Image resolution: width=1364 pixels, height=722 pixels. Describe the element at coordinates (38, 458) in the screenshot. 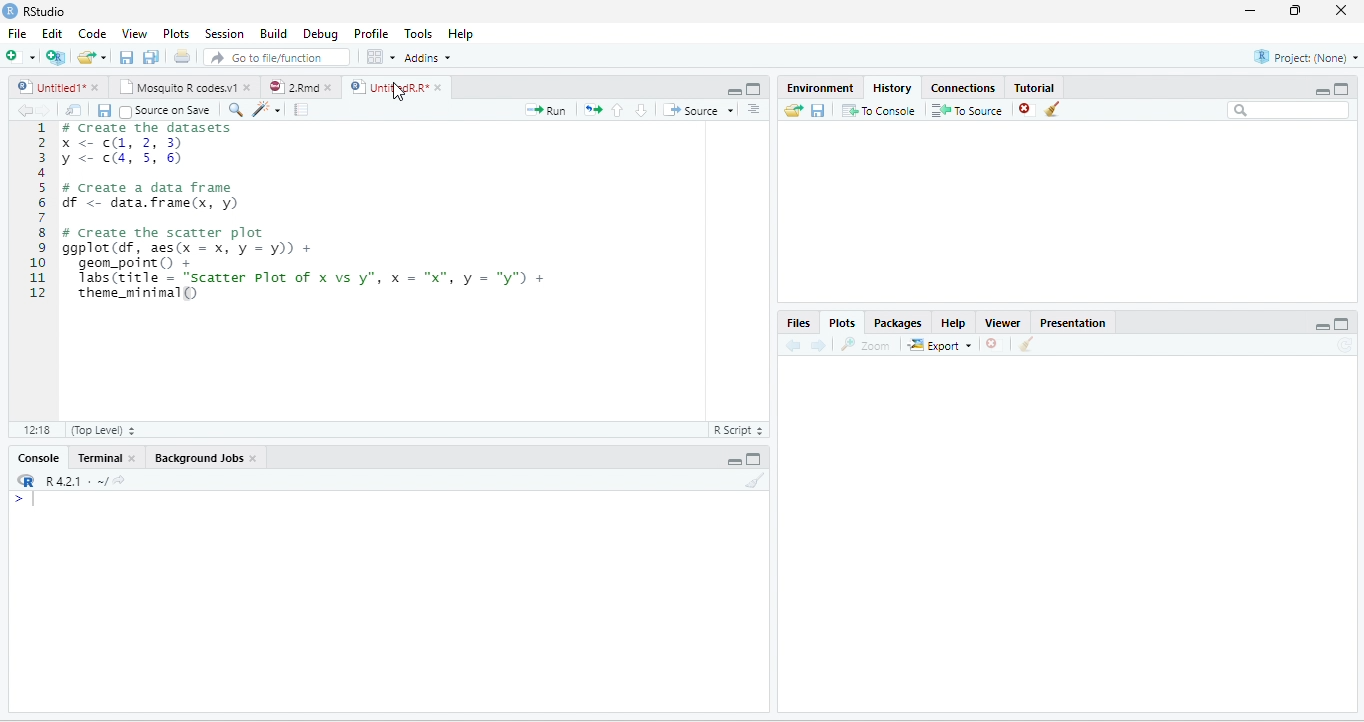

I see `Console` at that location.